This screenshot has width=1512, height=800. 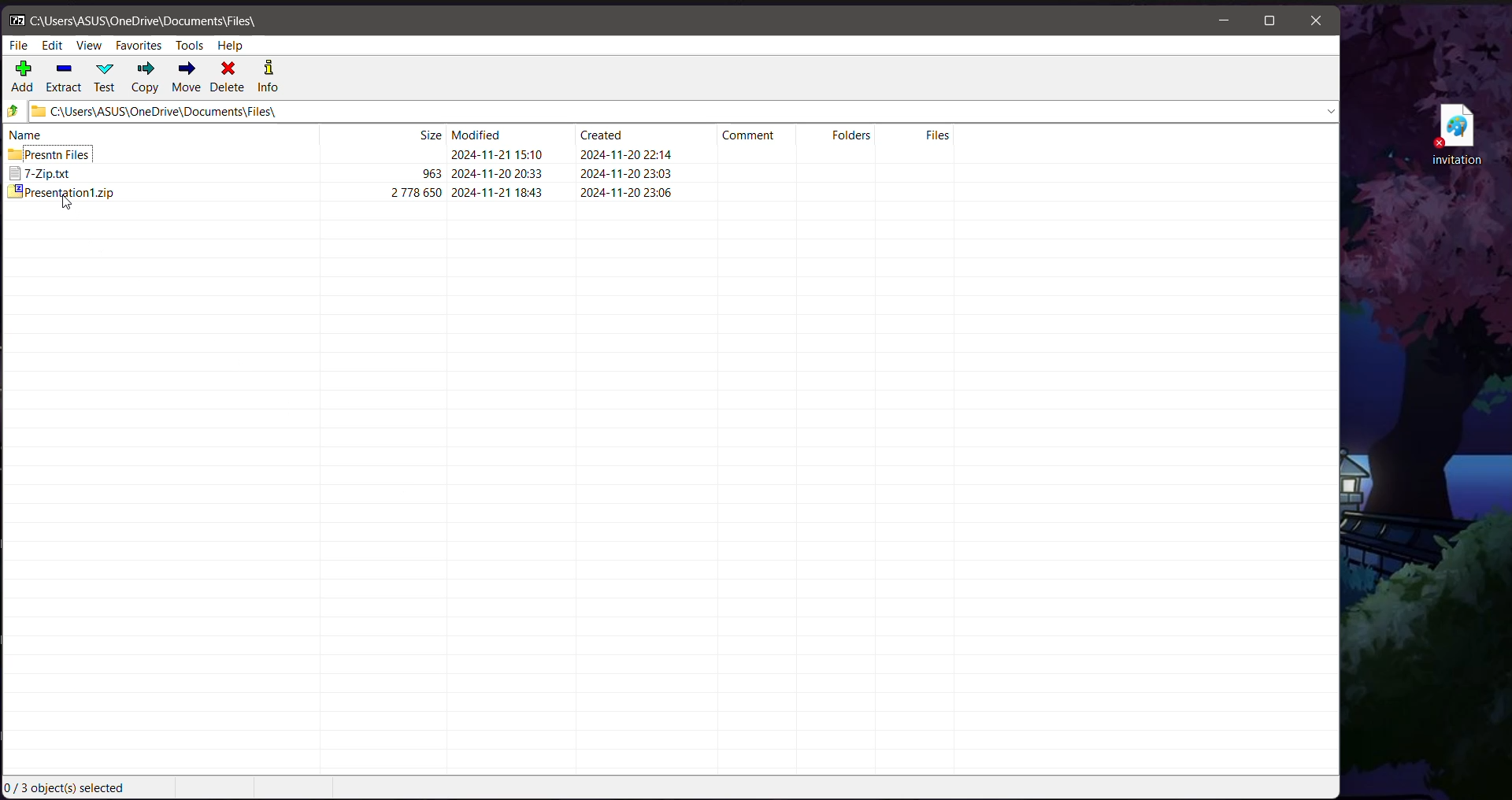 What do you see at coordinates (232, 46) in the screenshot?
I see `Help` at bounding box center [232, 46].